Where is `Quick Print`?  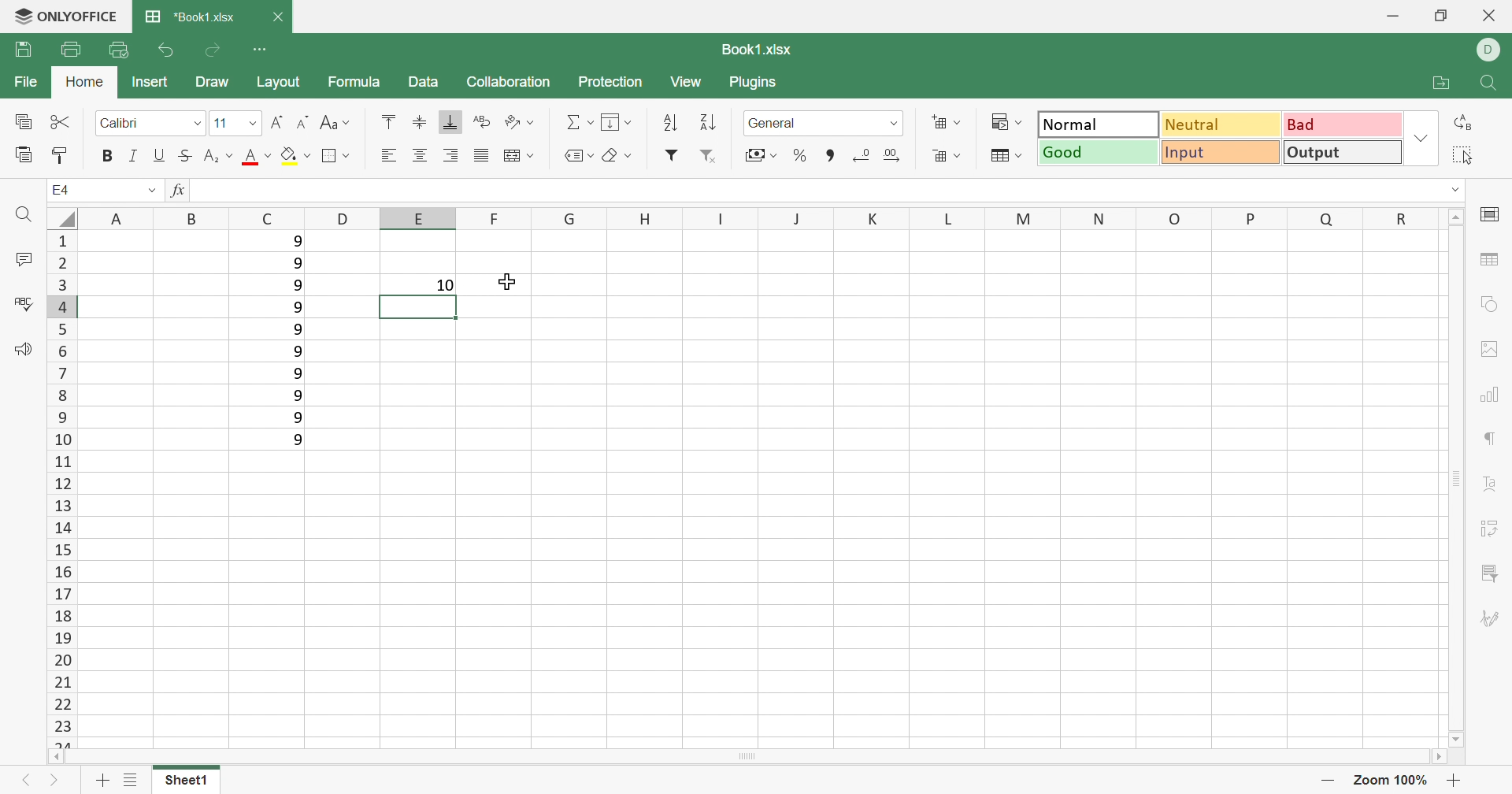 Quick Print is located at coordinates (120, 51).